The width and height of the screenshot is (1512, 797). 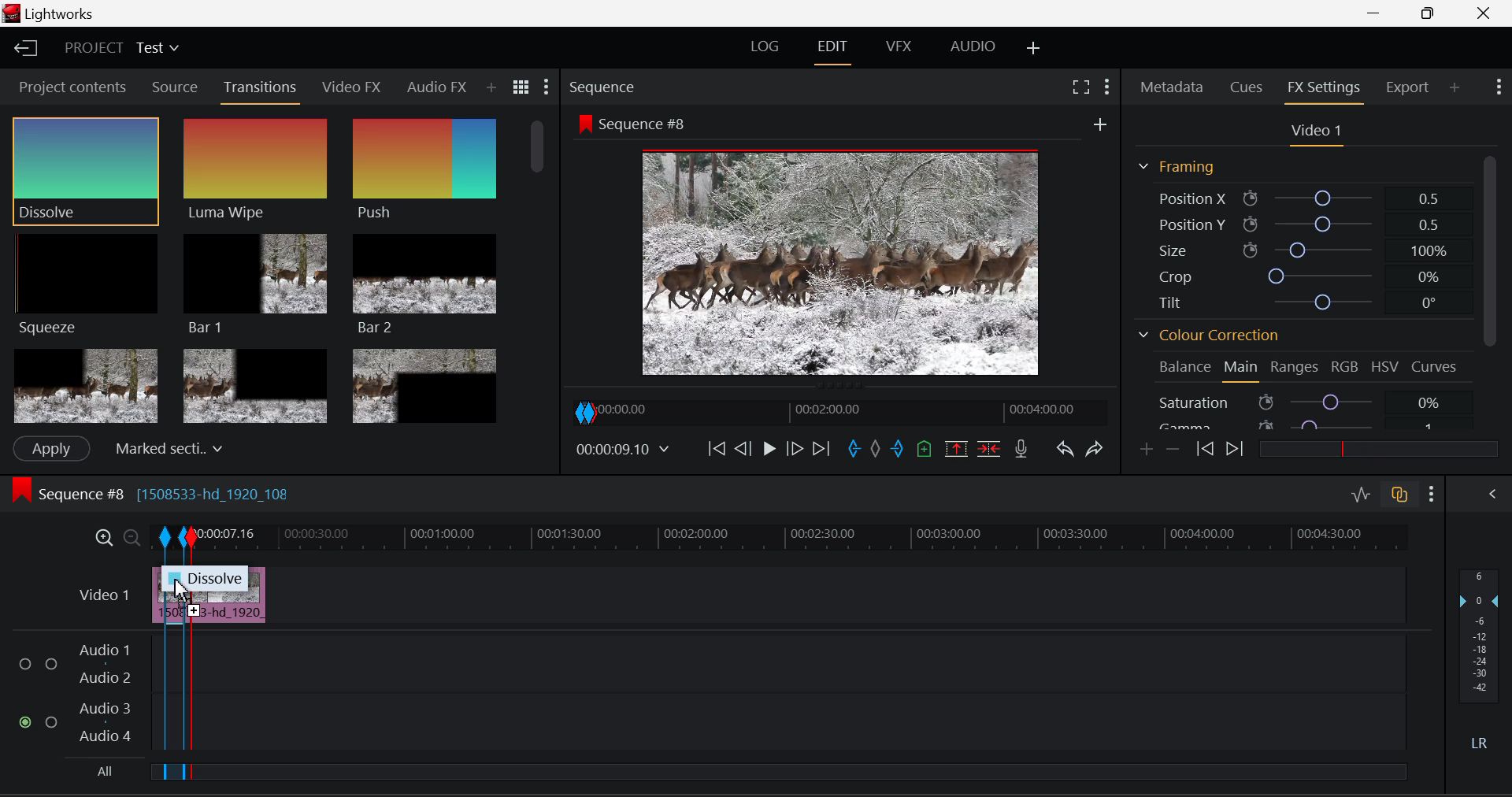 I want to click on Source, so click(x=176, y=87).